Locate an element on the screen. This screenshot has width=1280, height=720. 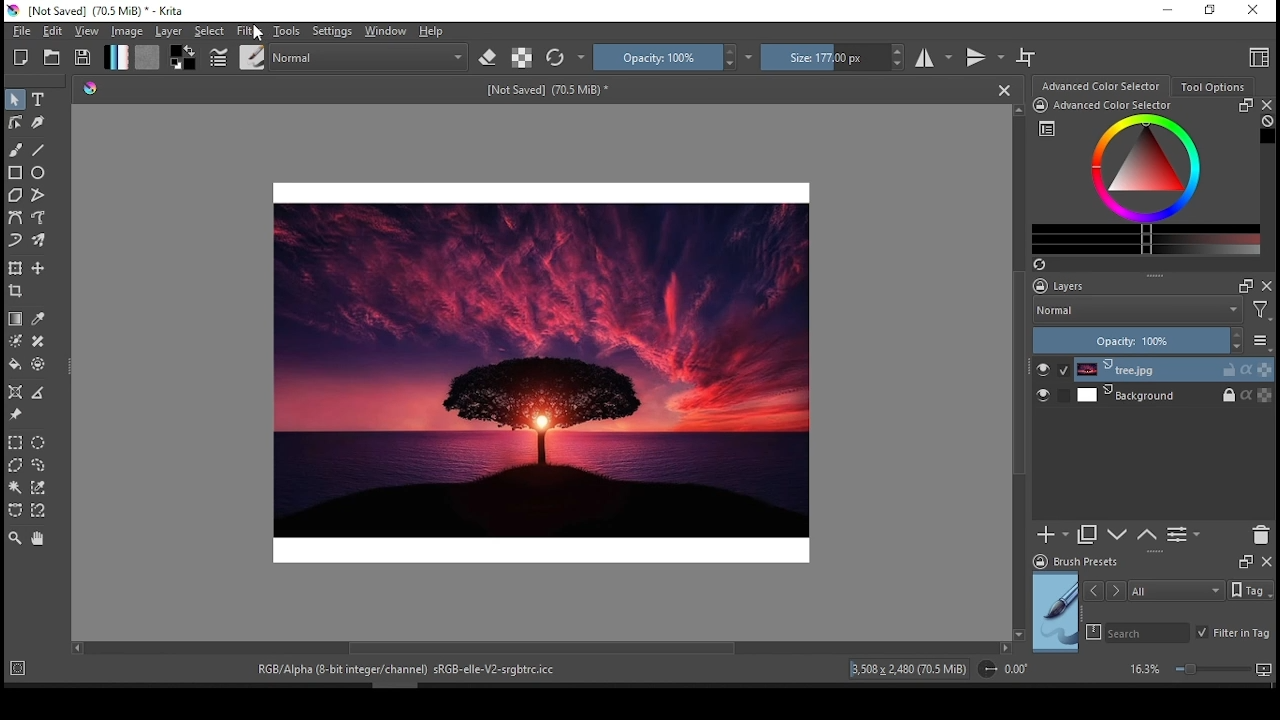
view is located at coordinates (87, 31).